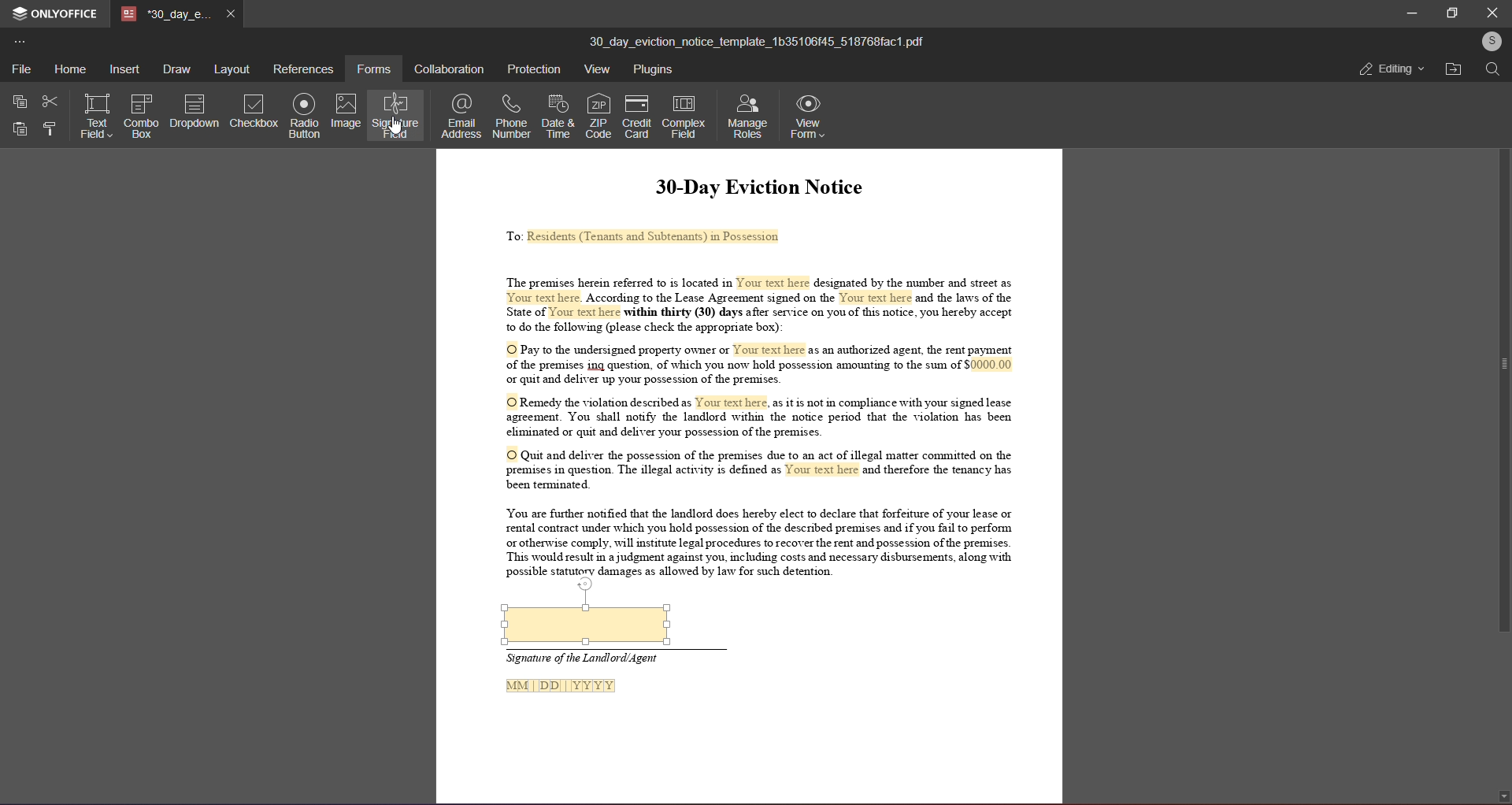  Describe the element at coordinates (758, 39) in the screenshot. I see `(title)30_day_eviction_notice_template_1b35106145_518768fact.pdf` at that location.